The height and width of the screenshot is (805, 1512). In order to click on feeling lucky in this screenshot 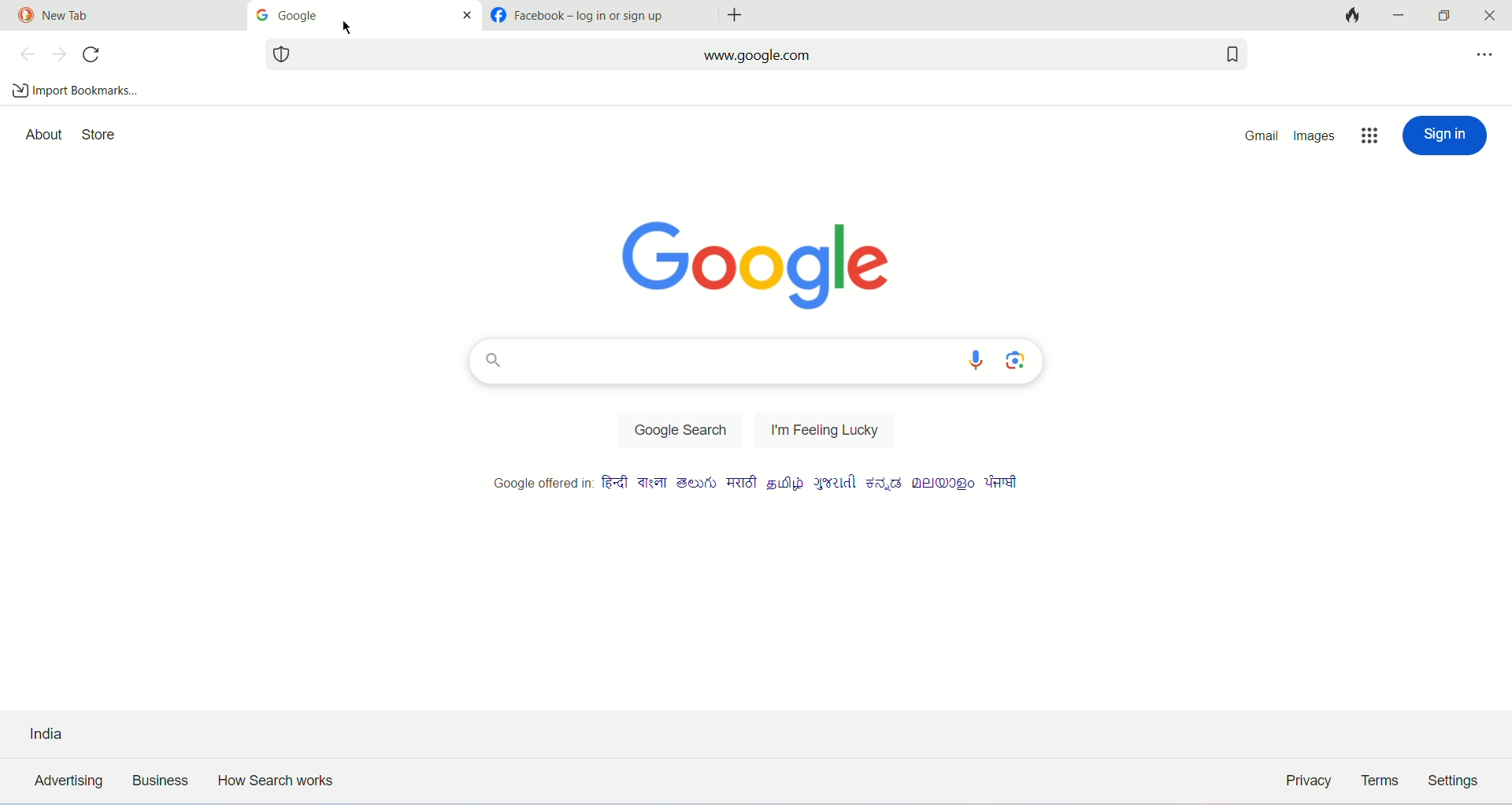, I will do `click(828, 431)`.